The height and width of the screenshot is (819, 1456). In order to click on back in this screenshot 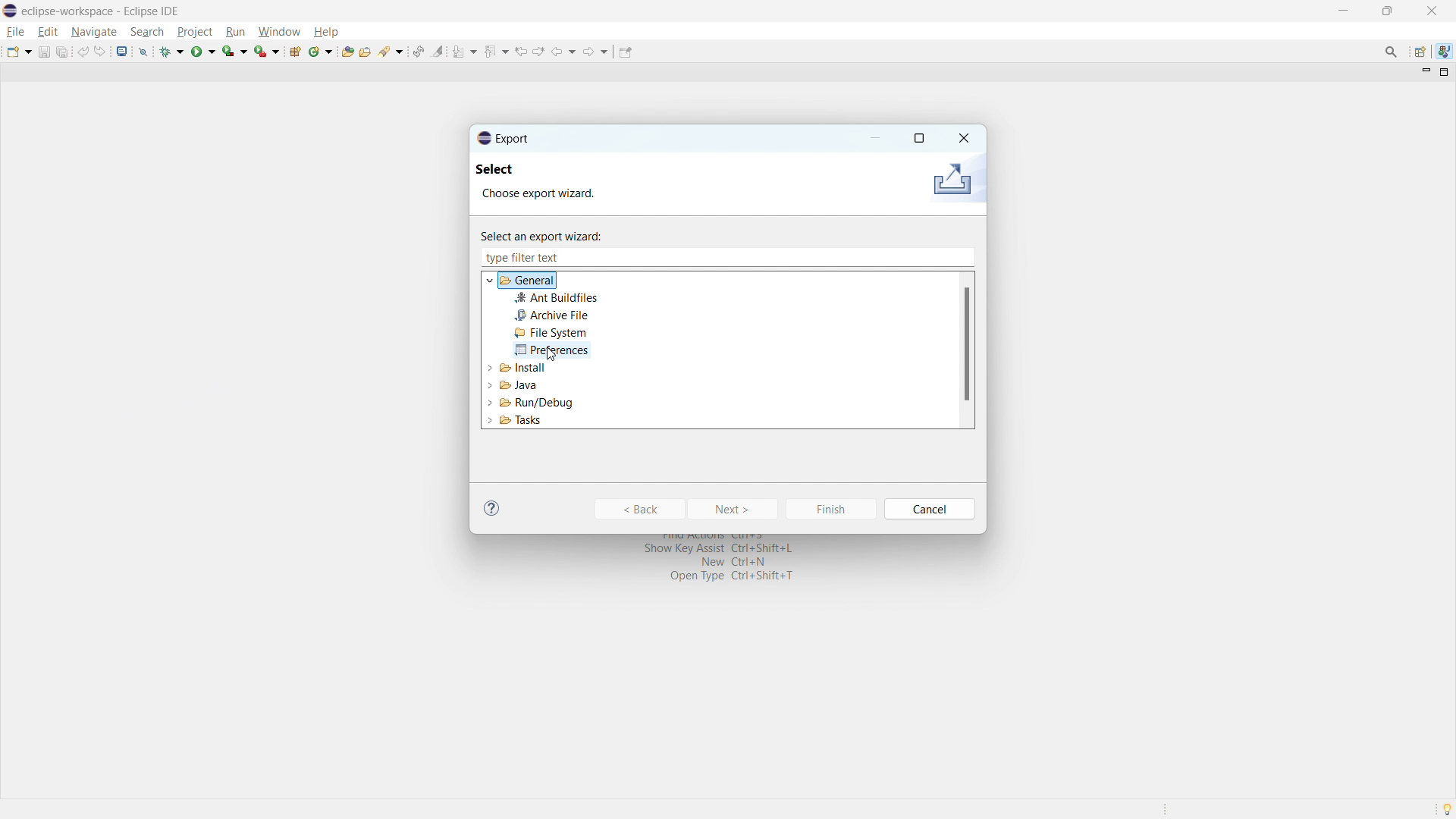, I will do `click(639, 509)`.